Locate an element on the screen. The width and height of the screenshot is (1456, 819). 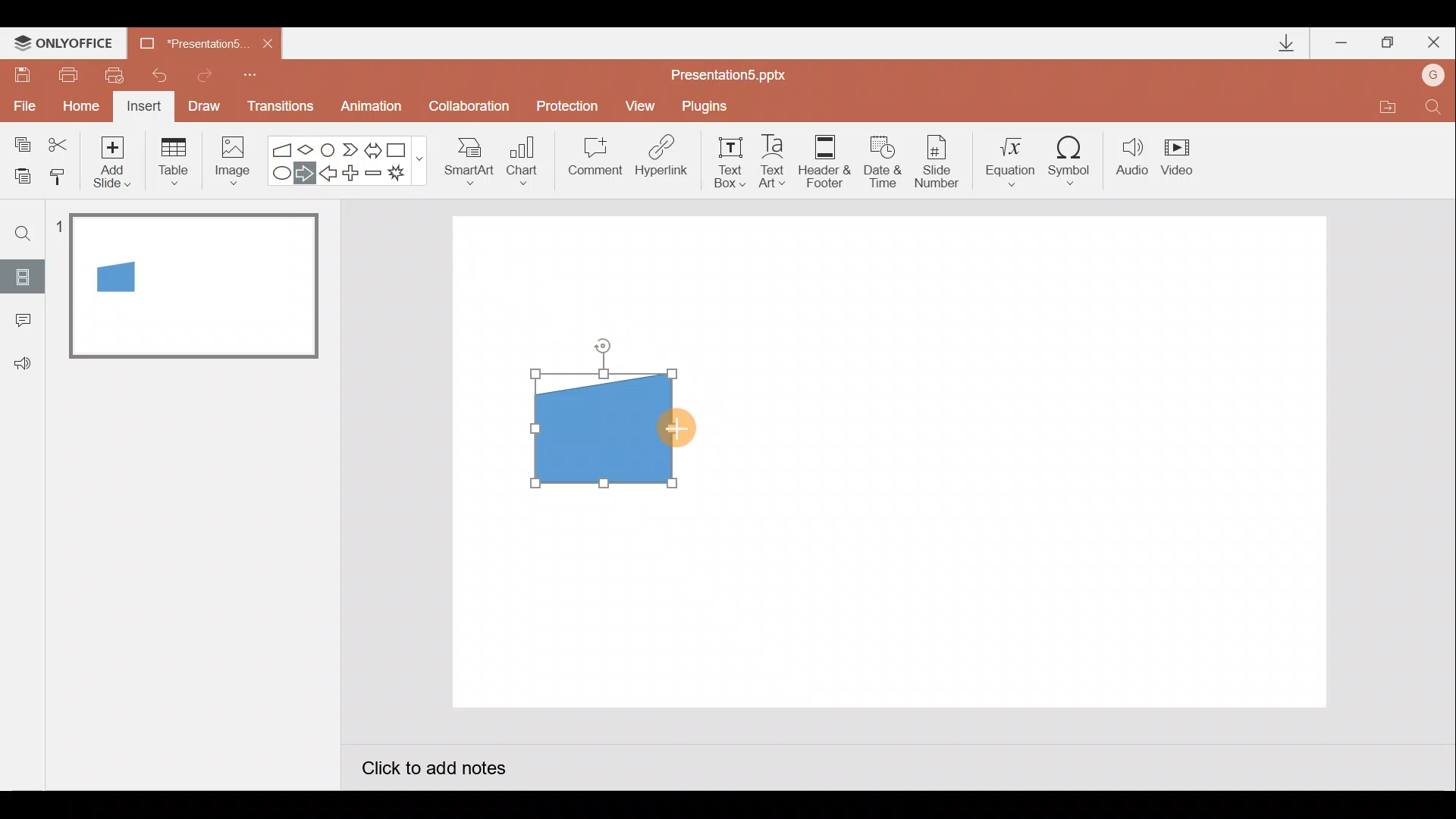
Copy style is located at coordinates (59, 174).